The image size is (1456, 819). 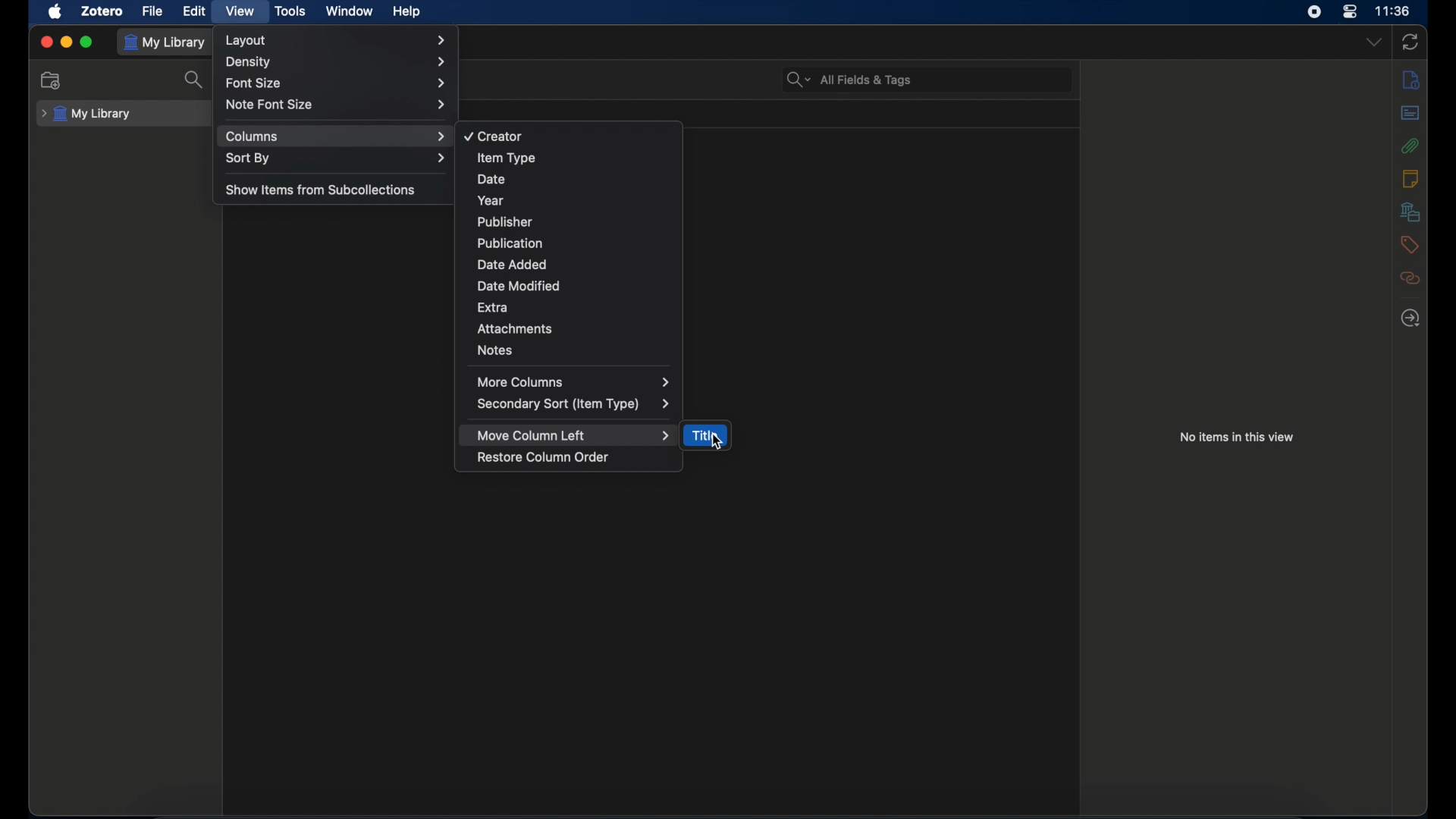 What do you see at coordinates (336, 105) in the screenshot?
I see `note font size` at bounding box center [336, 105].